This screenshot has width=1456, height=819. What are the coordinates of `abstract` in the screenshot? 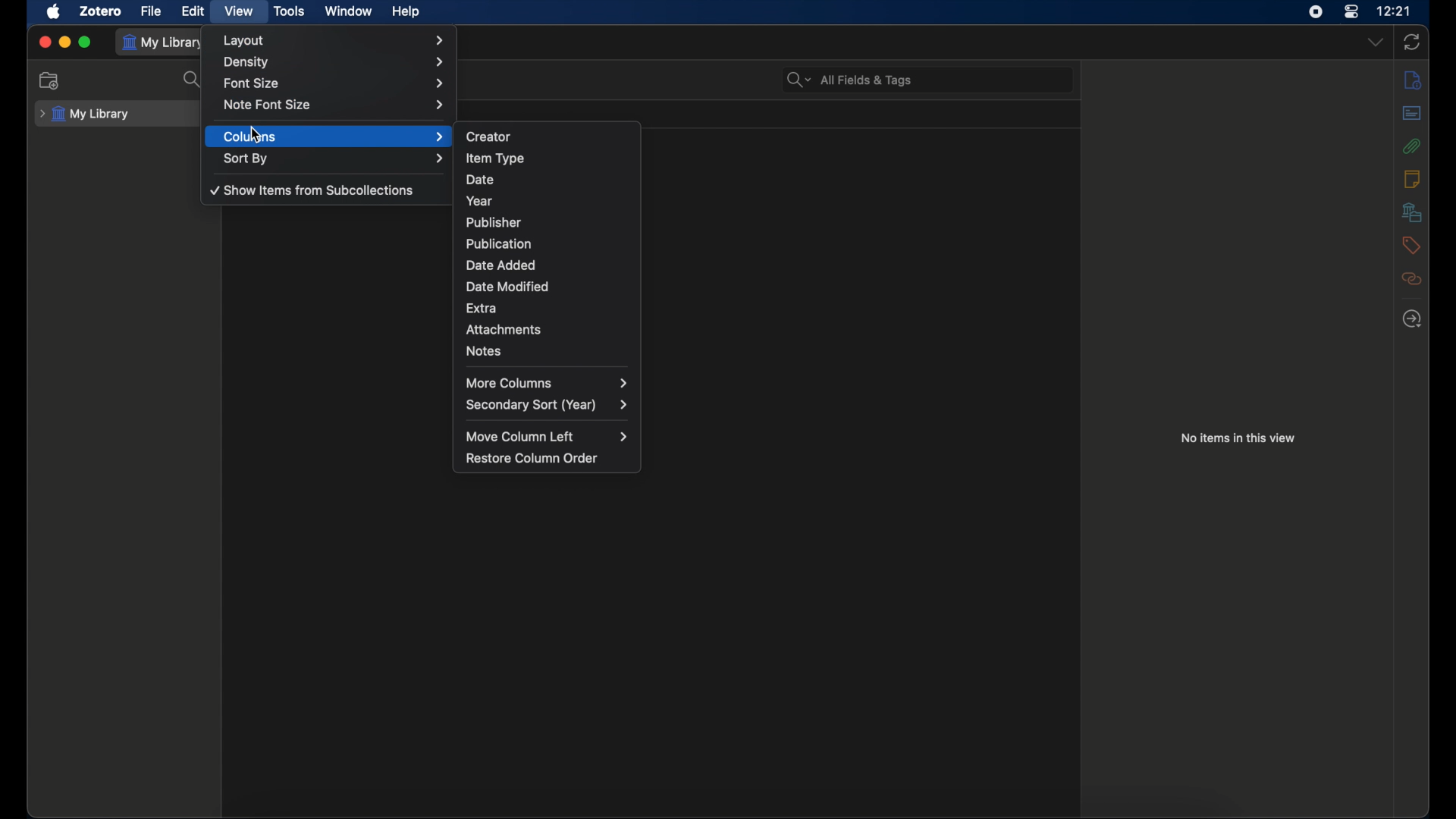 It's located at (1412, 113).